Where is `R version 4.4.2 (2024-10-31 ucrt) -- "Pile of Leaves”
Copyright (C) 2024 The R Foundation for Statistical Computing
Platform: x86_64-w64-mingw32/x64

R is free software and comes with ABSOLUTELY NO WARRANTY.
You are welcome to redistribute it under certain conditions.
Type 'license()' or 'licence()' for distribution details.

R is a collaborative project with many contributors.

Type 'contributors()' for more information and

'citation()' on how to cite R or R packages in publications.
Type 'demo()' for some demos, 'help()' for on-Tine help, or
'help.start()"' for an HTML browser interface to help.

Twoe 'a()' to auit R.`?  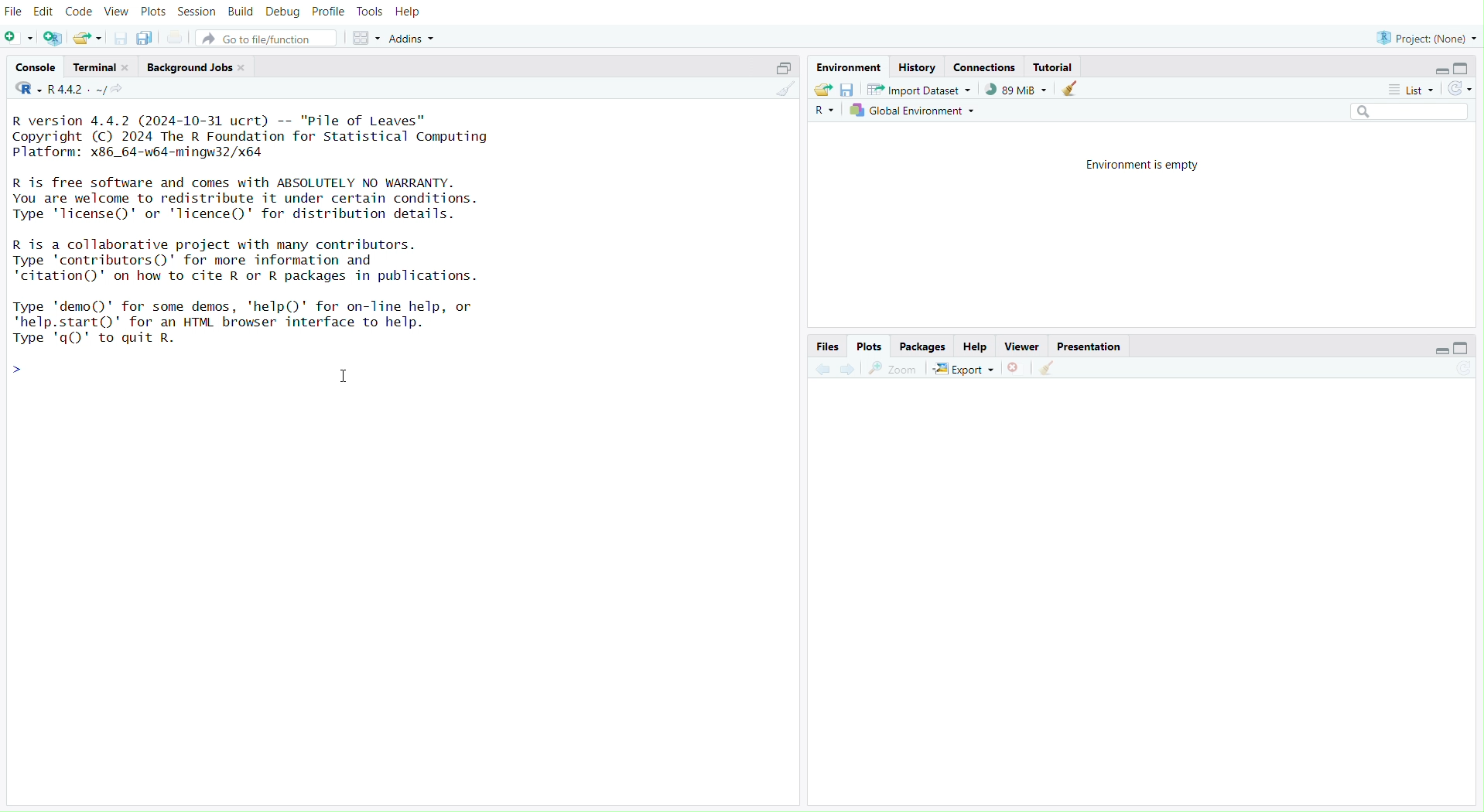
R version 4.4.2 (2024-10-31 ucrt) -- "Pile of Leaves”
Copyright (C) 2024 The R Foundation for Statistical Computing
Platform: x86_64-w64-mingw32/x64

R is free software and comes with ABSOLUTELY NO WARRANTY.
You are welcome to redistribute it under certain conditions.
Type 'license()' or 'licence()' for distribution details.

R is a collaborative project with many contributors.

Type 'contributors()' for more information and

'citation()' on how to cite R or R packages in publications.
Type 'demo()' for some demos, 'help()' for on-Tine help, or
'help.start()"' for an HTML browser interface to help.

Twoe 'a()' to auit R. is located at coordinates (264, 223).